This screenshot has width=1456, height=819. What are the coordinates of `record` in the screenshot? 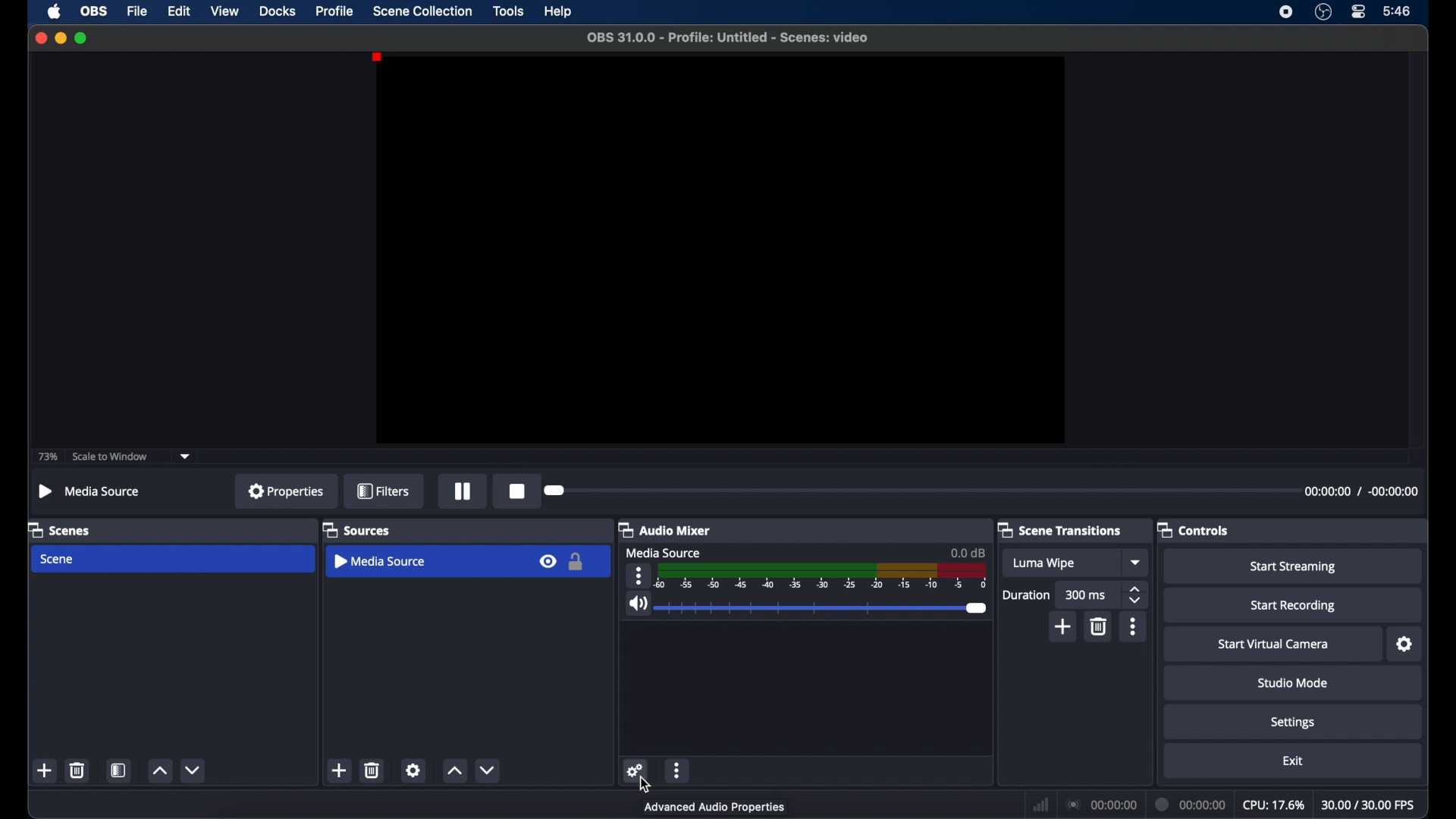 It's located at (518, 491).